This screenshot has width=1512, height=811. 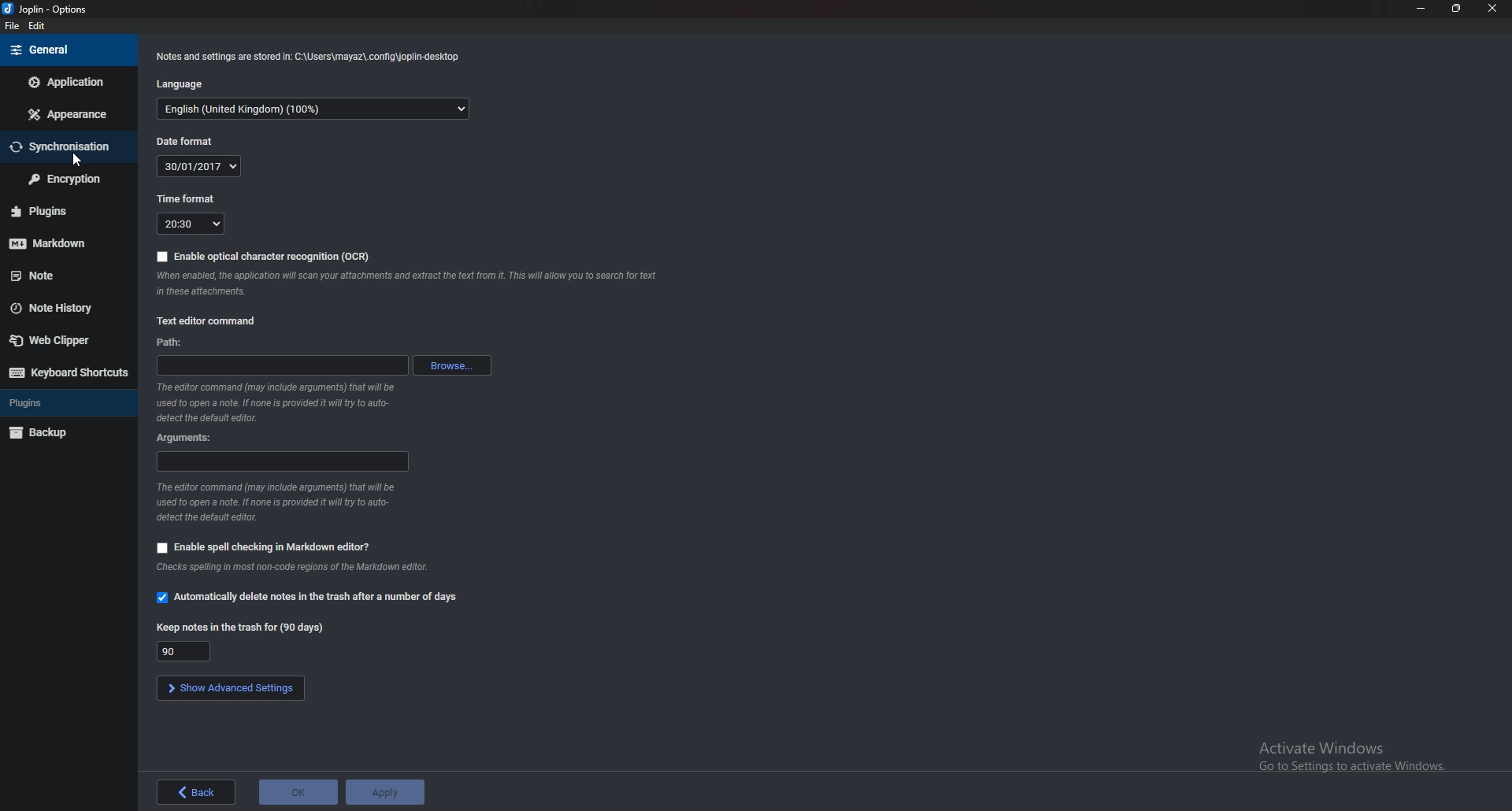 I want to click on back, so click(x=198, y=793).